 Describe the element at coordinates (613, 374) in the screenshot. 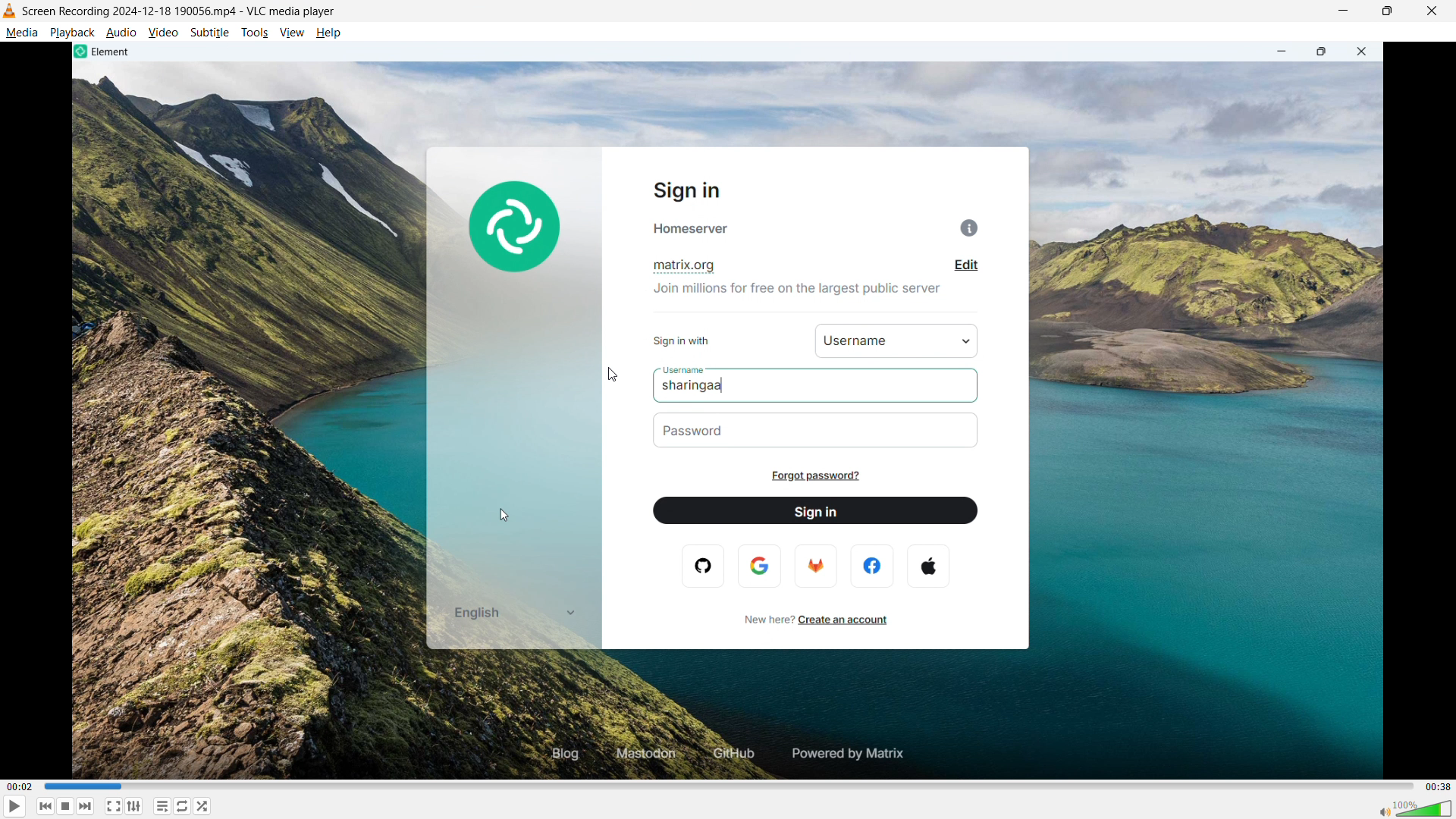

I see `Cursor ` at that location.